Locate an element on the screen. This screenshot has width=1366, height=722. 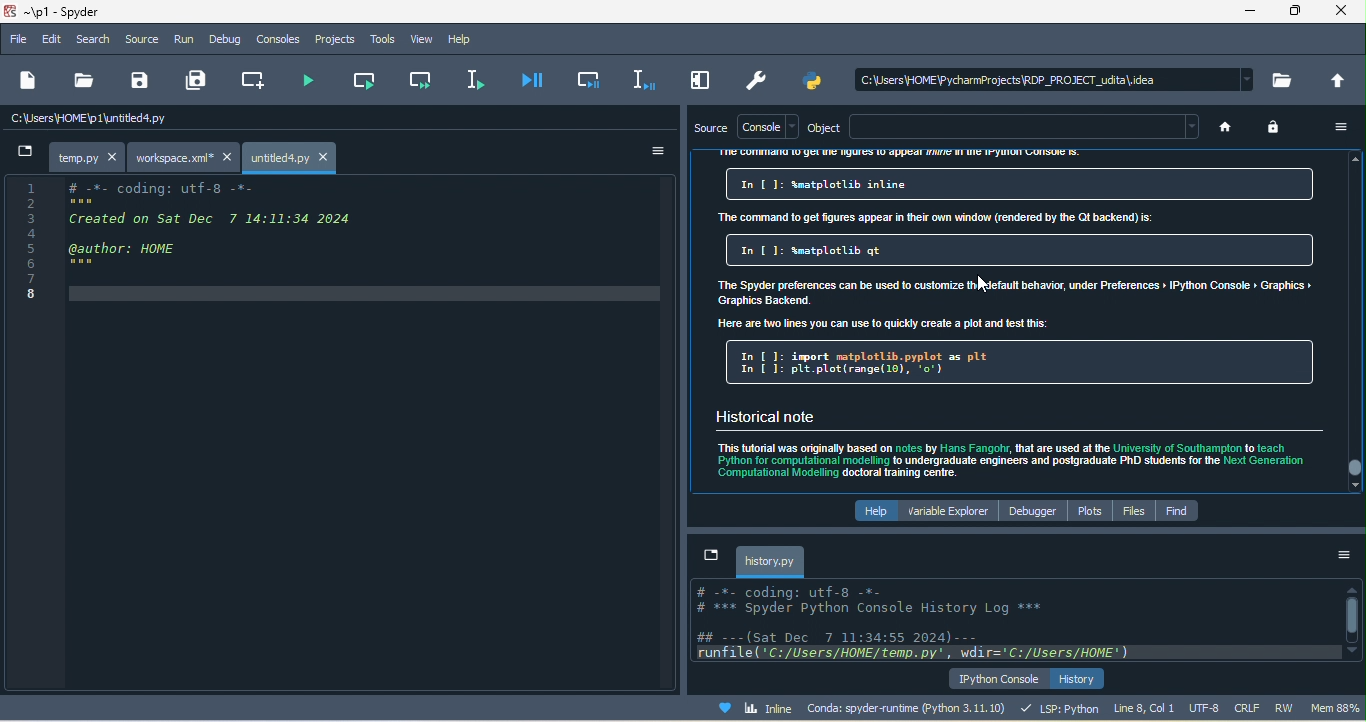
debug is located at coordinates (229, 40).